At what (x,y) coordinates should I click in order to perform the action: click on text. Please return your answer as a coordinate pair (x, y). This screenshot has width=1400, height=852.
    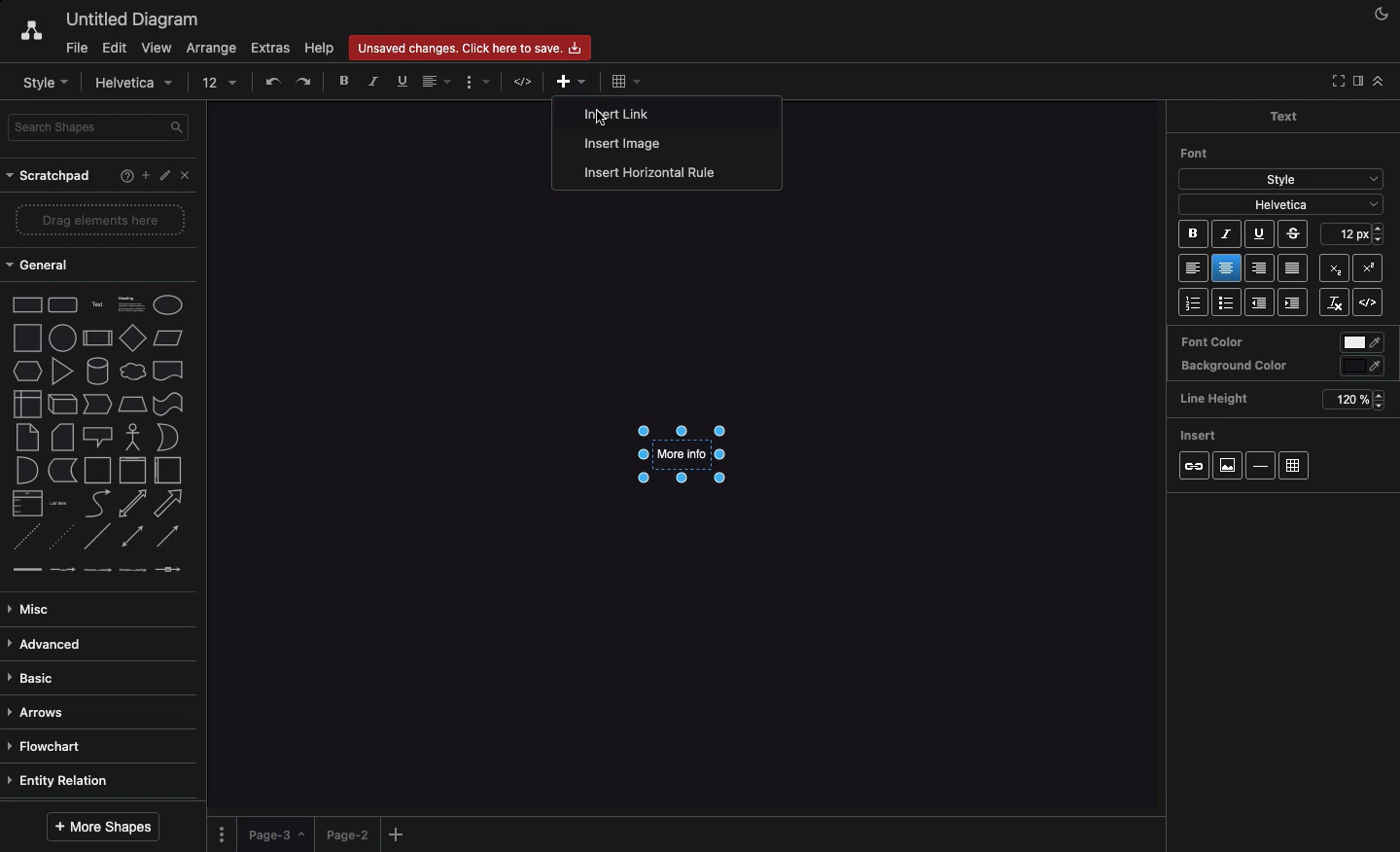
    Looking at the image, I should click on (98, 306).